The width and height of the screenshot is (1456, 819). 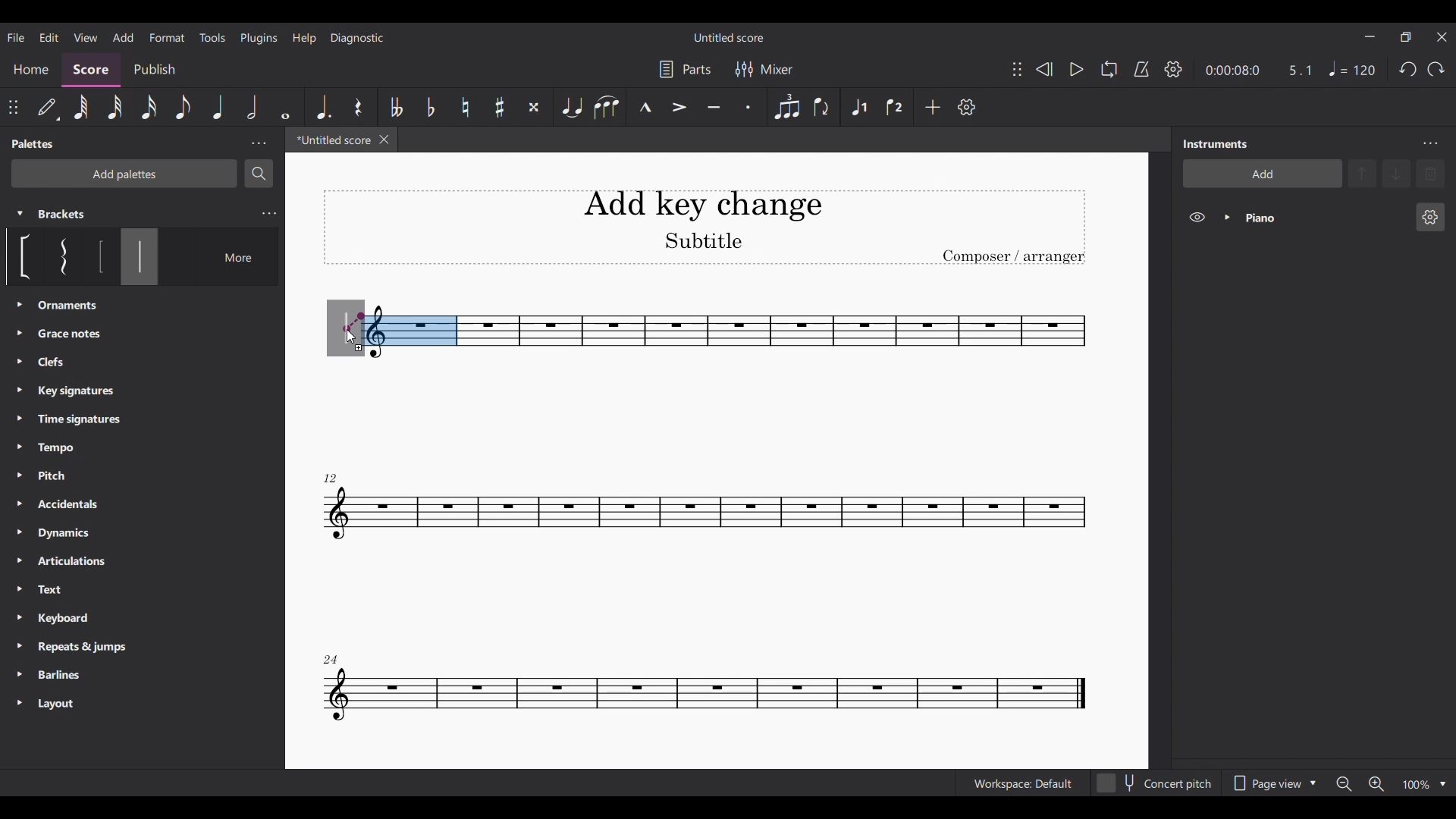 What do you see at coordinates (259, 37) in the screenshot?
I see `Plugins menu` at bounding box center [259, 37].